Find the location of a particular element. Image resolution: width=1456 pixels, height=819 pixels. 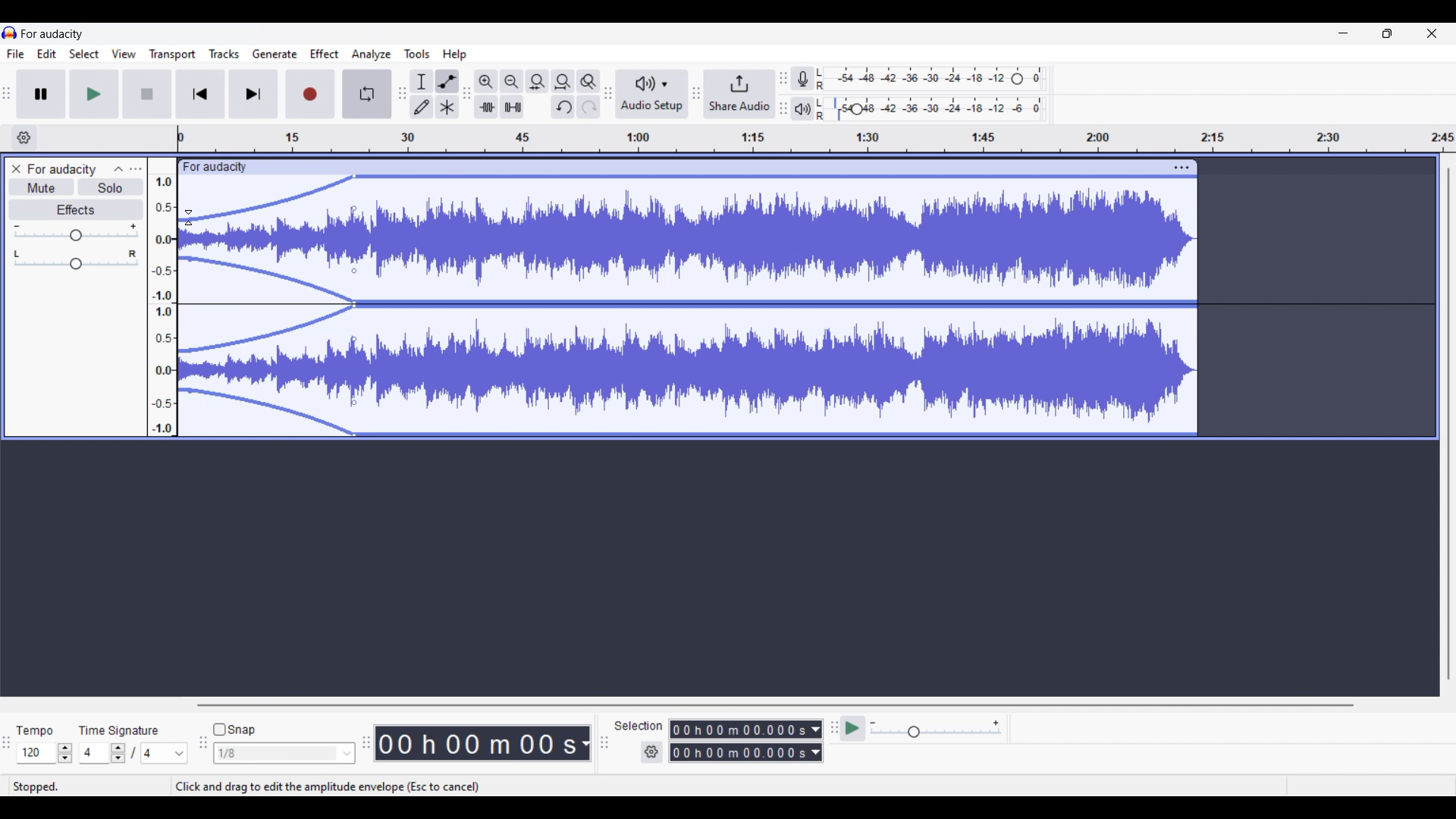

for audacity is located at coordinates (53, 34).